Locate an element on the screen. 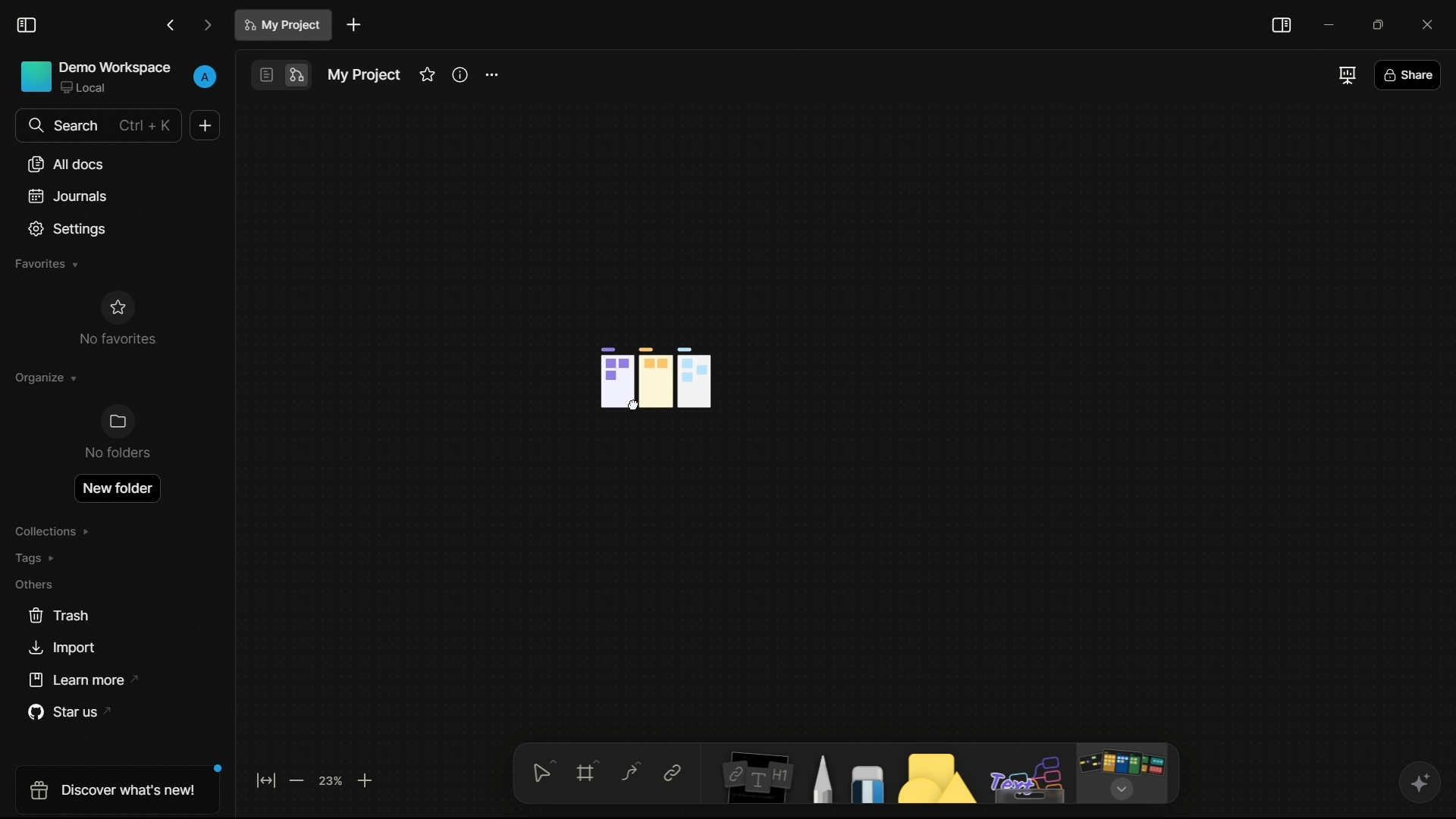 The width and height of the screenshot is (1456, 819). new document is located at coordinates (205, 125).